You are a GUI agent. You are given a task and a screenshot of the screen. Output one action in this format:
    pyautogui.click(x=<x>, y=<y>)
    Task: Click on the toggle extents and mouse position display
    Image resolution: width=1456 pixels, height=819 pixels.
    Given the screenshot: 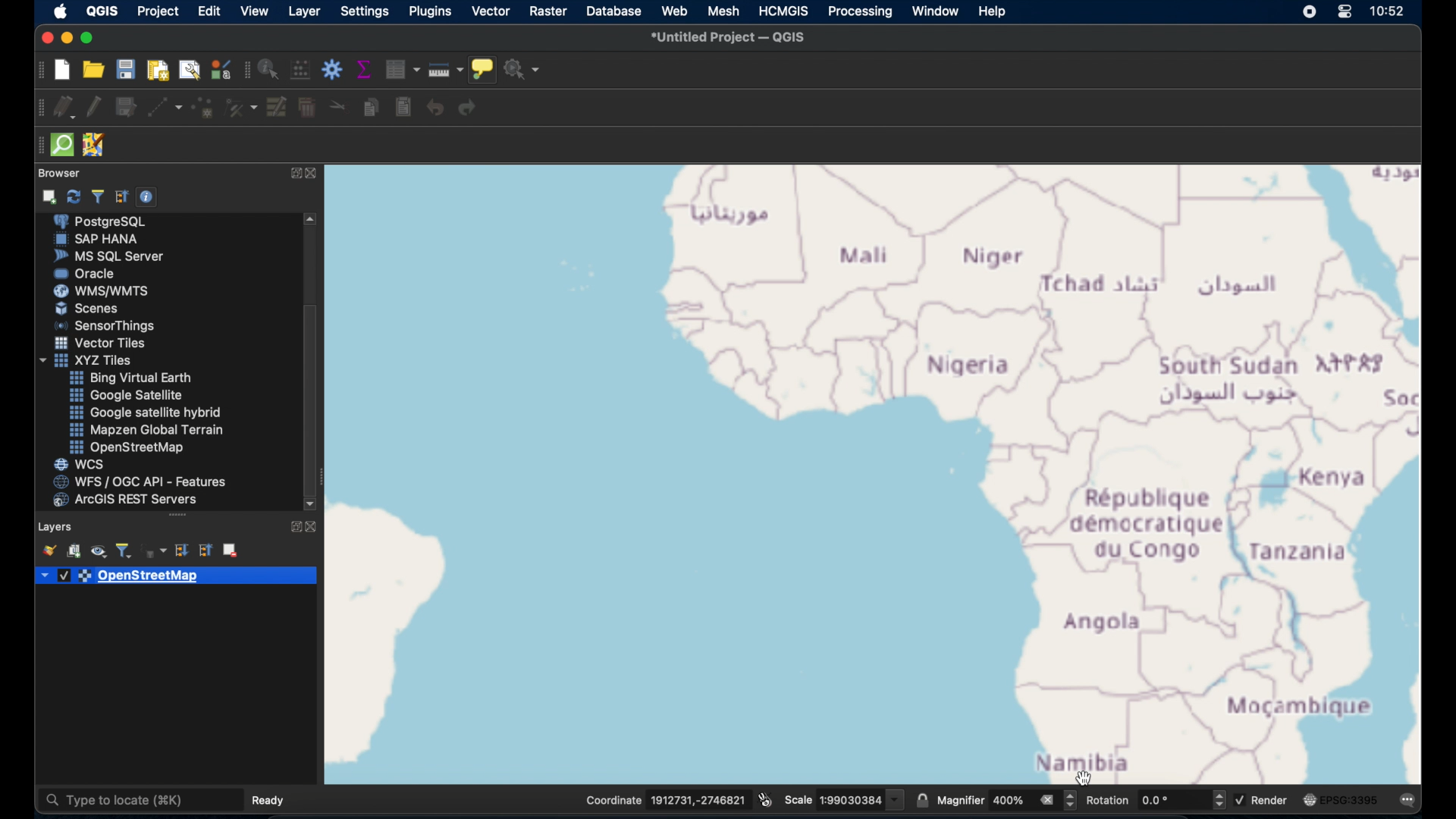 What is the action you would take?
    pyautogui.click(x=765, y=798)
    